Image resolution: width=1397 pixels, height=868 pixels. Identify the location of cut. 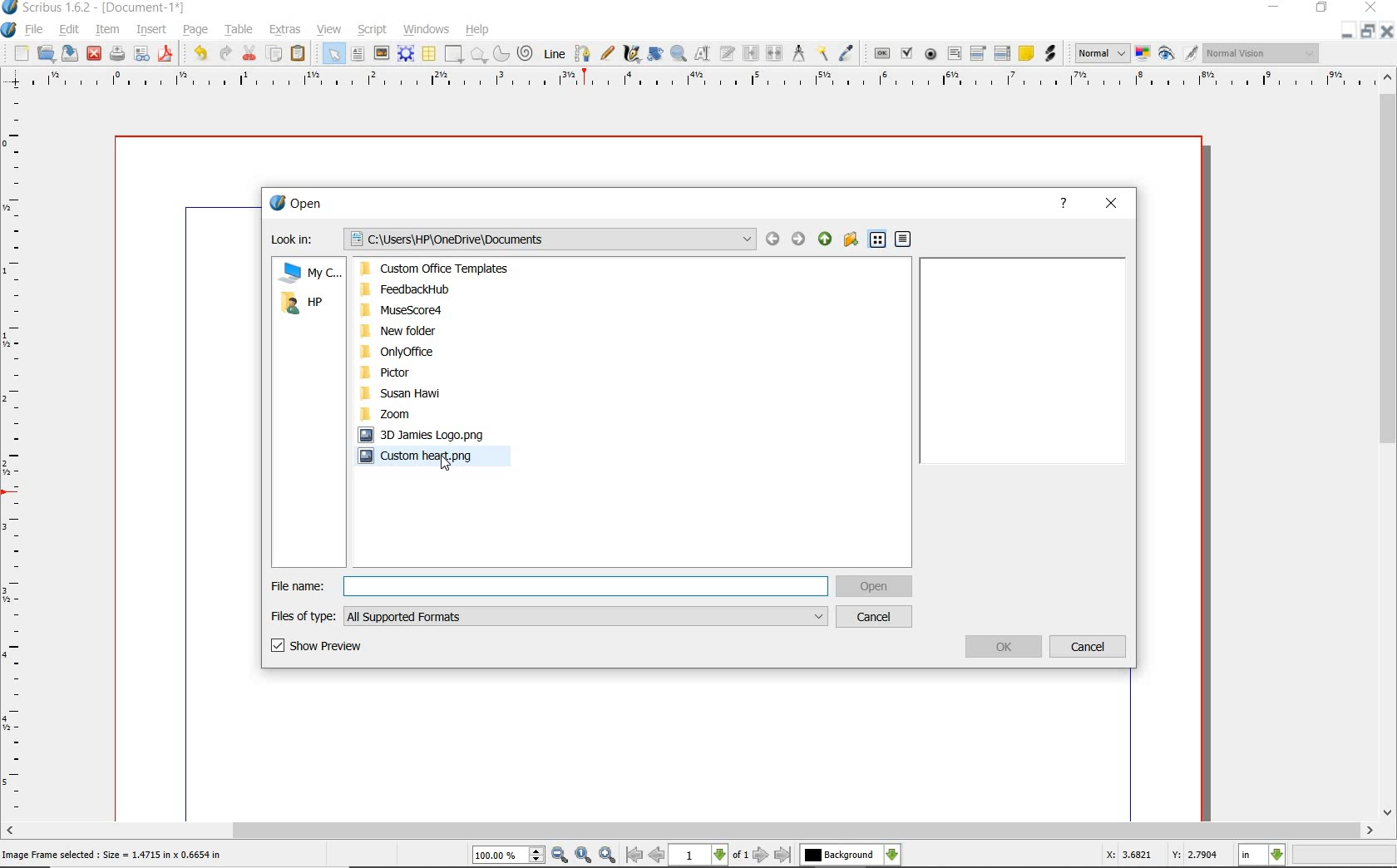
(251, 52).